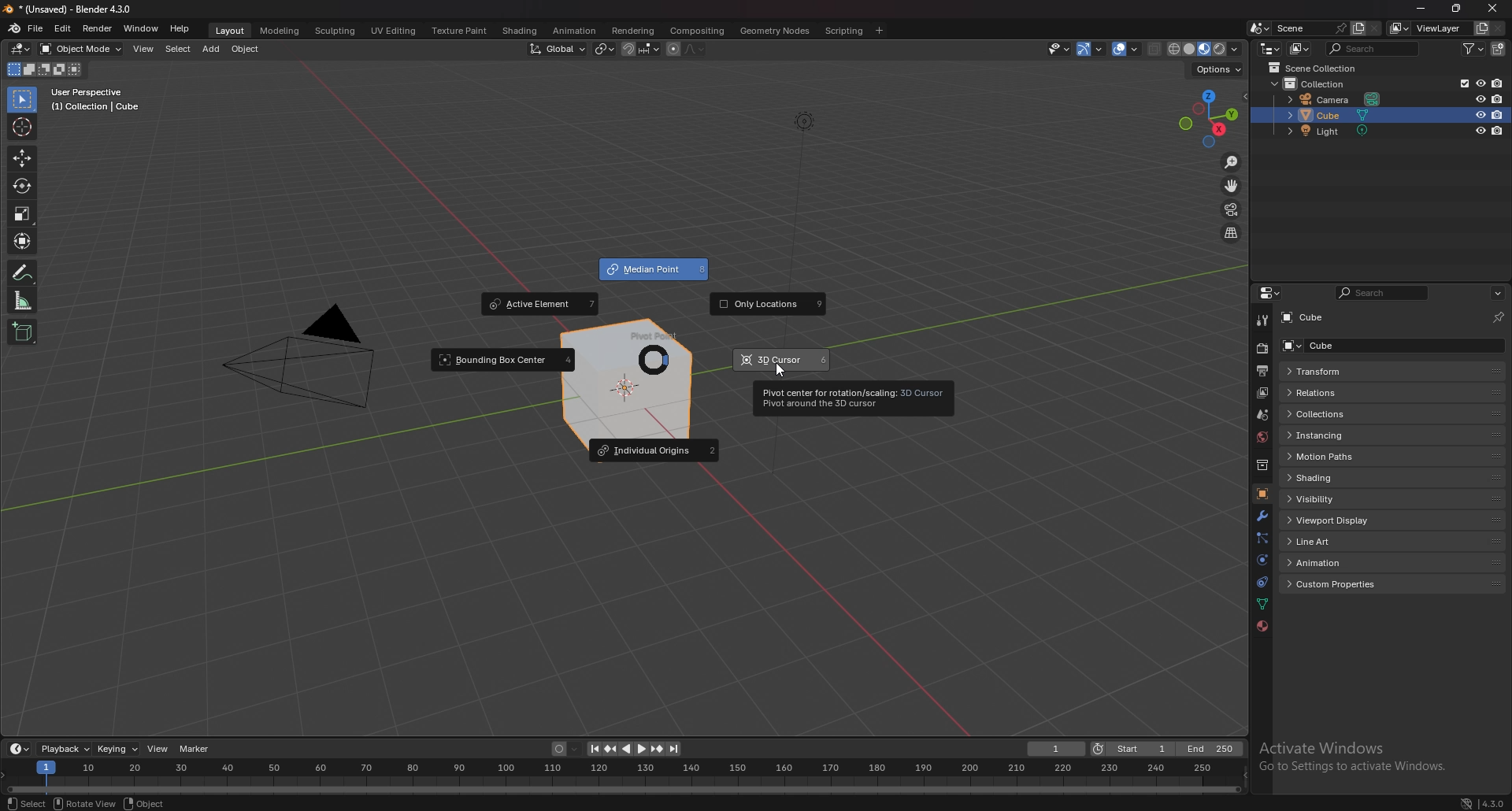  What do you see at coordinates (21, 158) in the screenshot?
I see `move` at bounding box center [21, 158].